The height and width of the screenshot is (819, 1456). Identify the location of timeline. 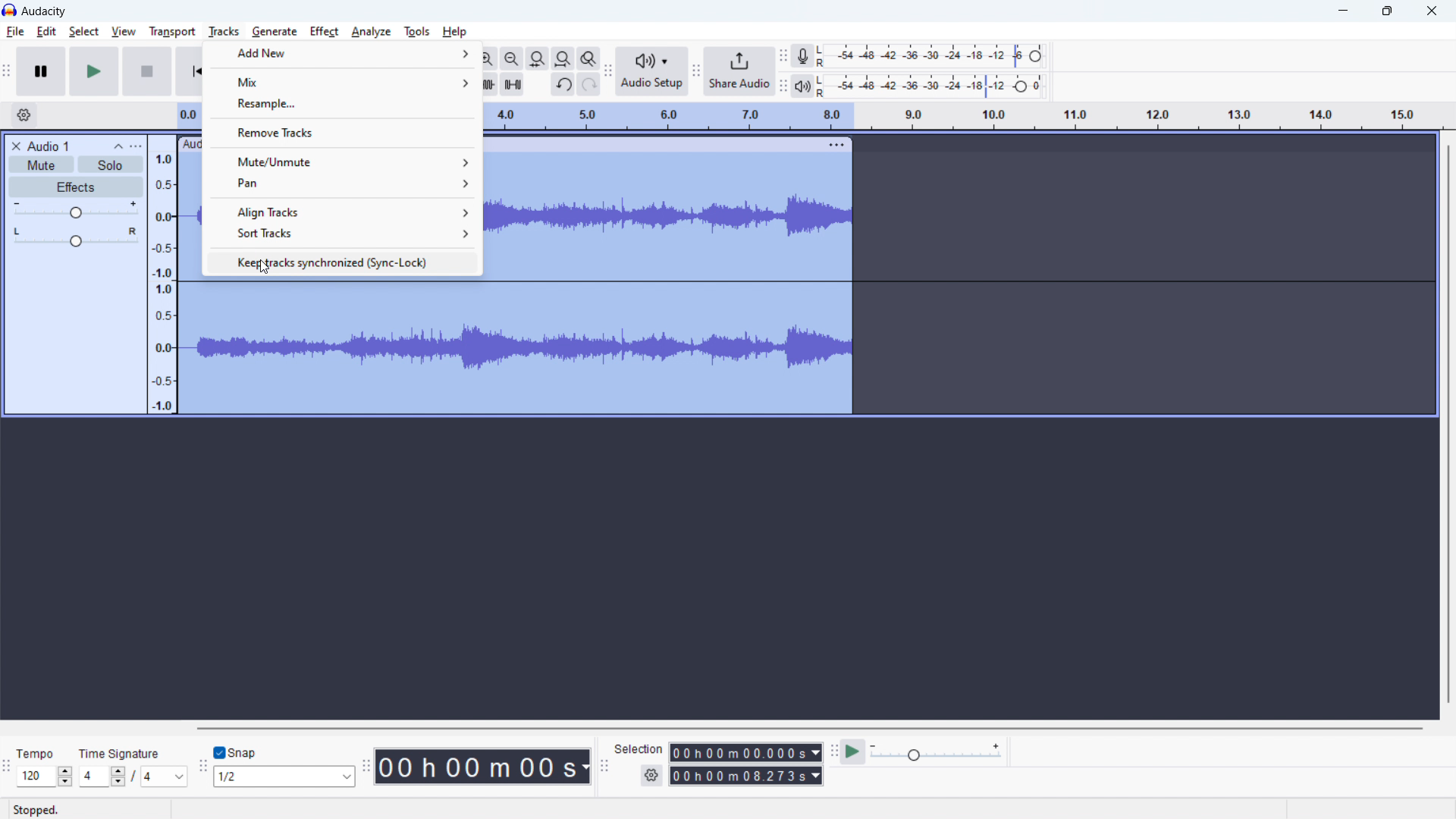
(960, 118).